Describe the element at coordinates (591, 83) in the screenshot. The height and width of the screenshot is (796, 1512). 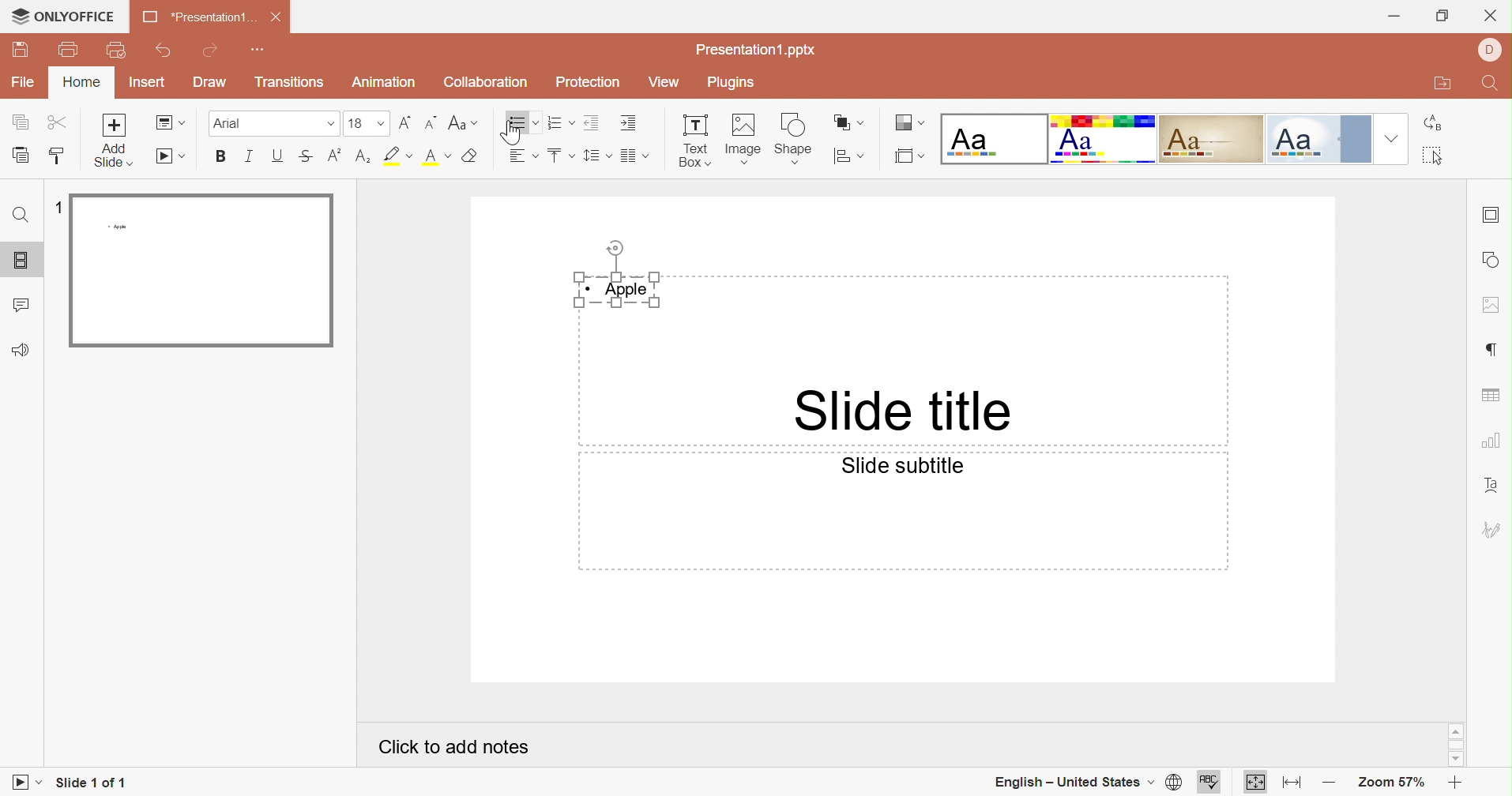
I see `Protection` at that location.